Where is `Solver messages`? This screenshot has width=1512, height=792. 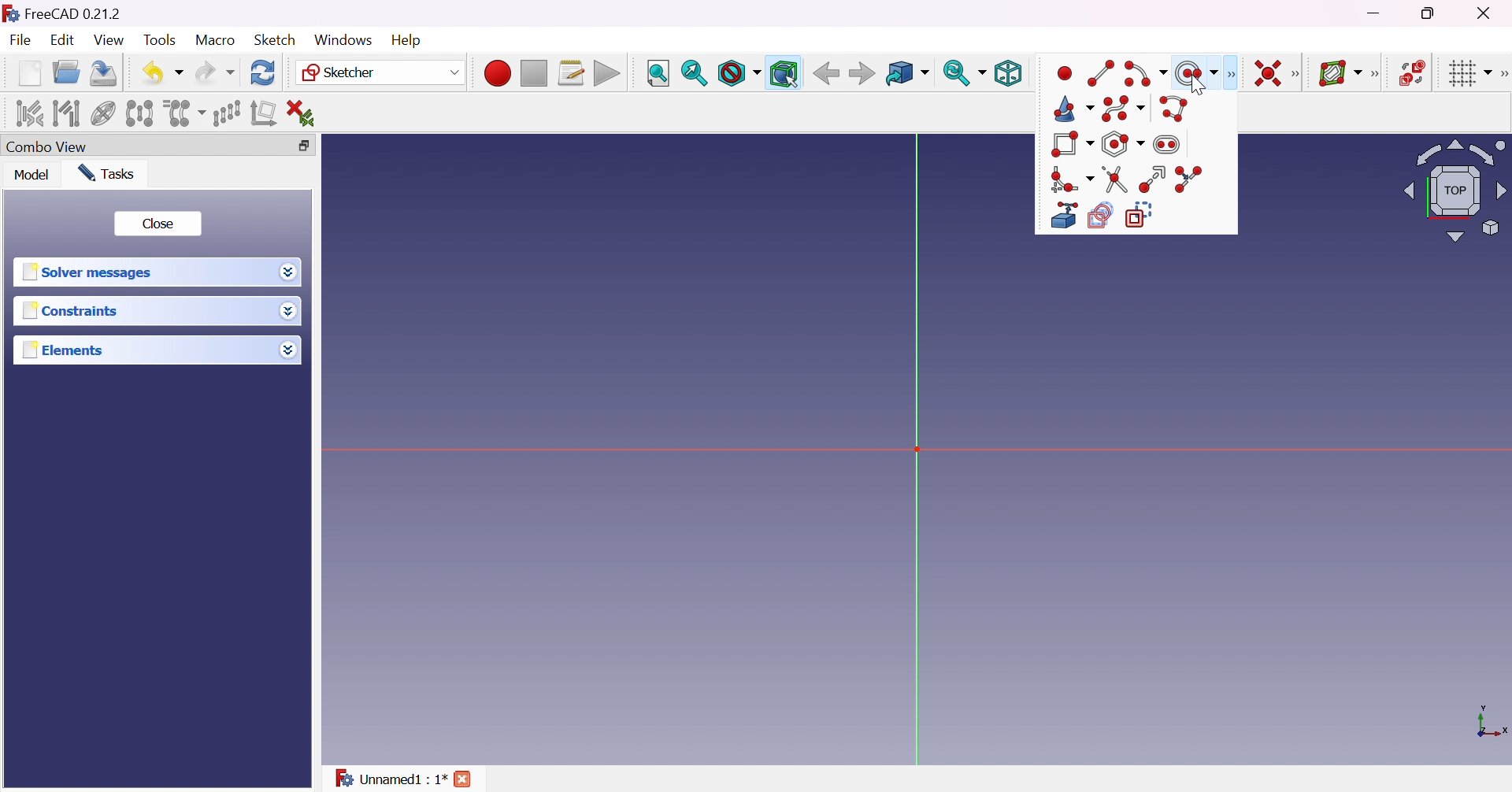 Solver messages is located at coordinates (87, 272).